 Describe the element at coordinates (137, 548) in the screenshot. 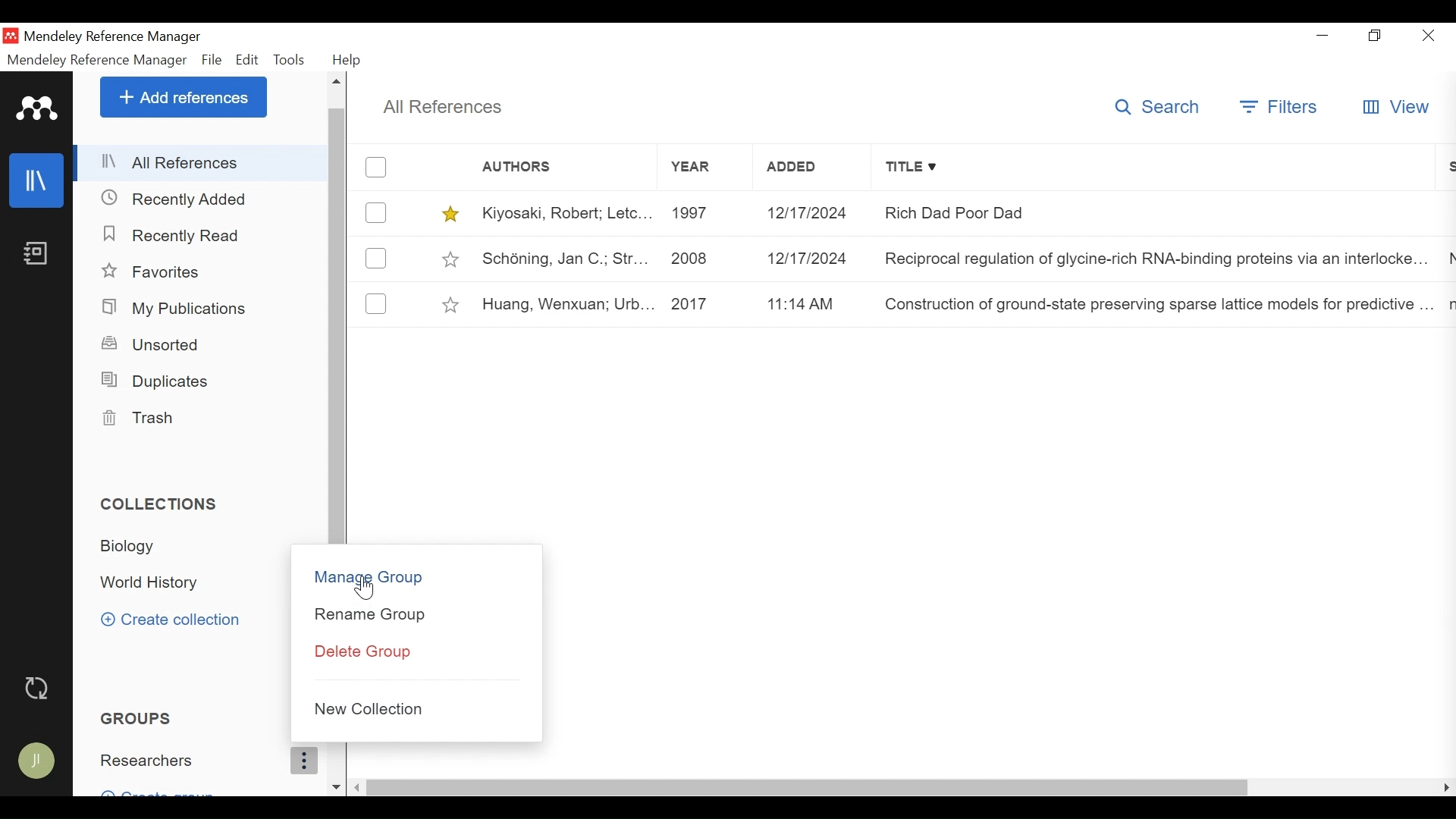

I see `Biology` at that location.